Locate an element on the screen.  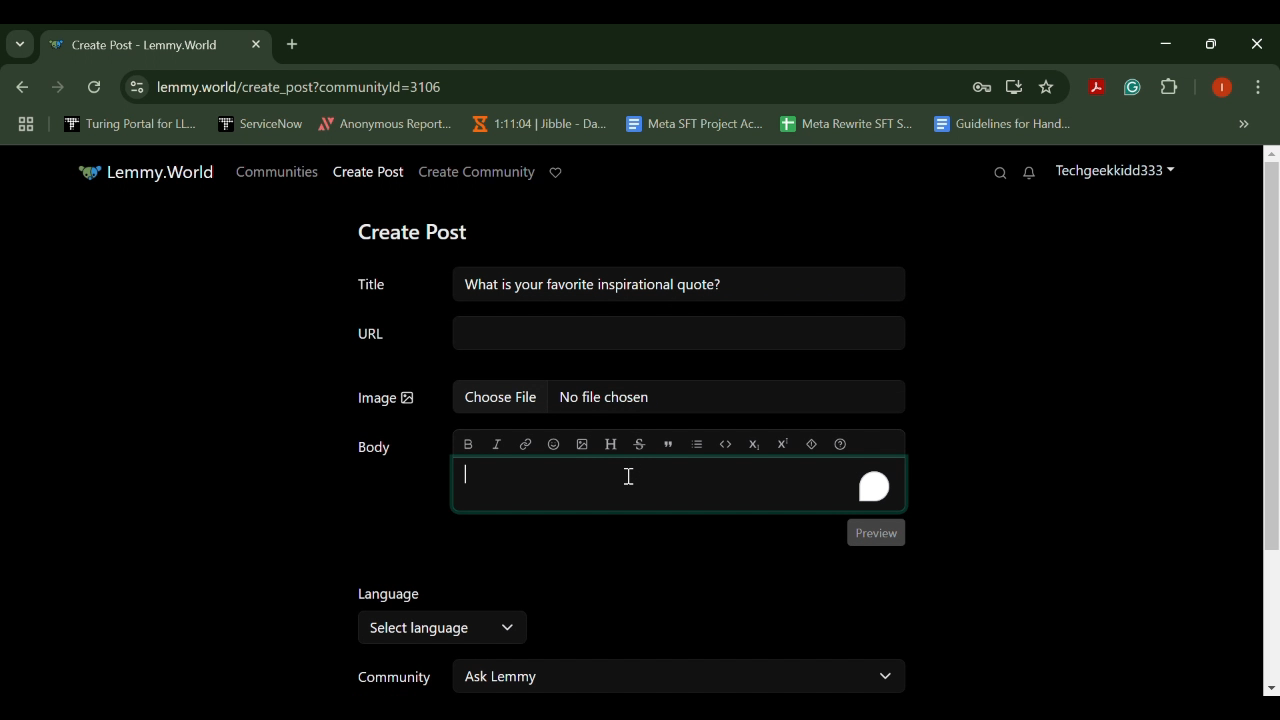
quote is located at coordinates (667, 442).